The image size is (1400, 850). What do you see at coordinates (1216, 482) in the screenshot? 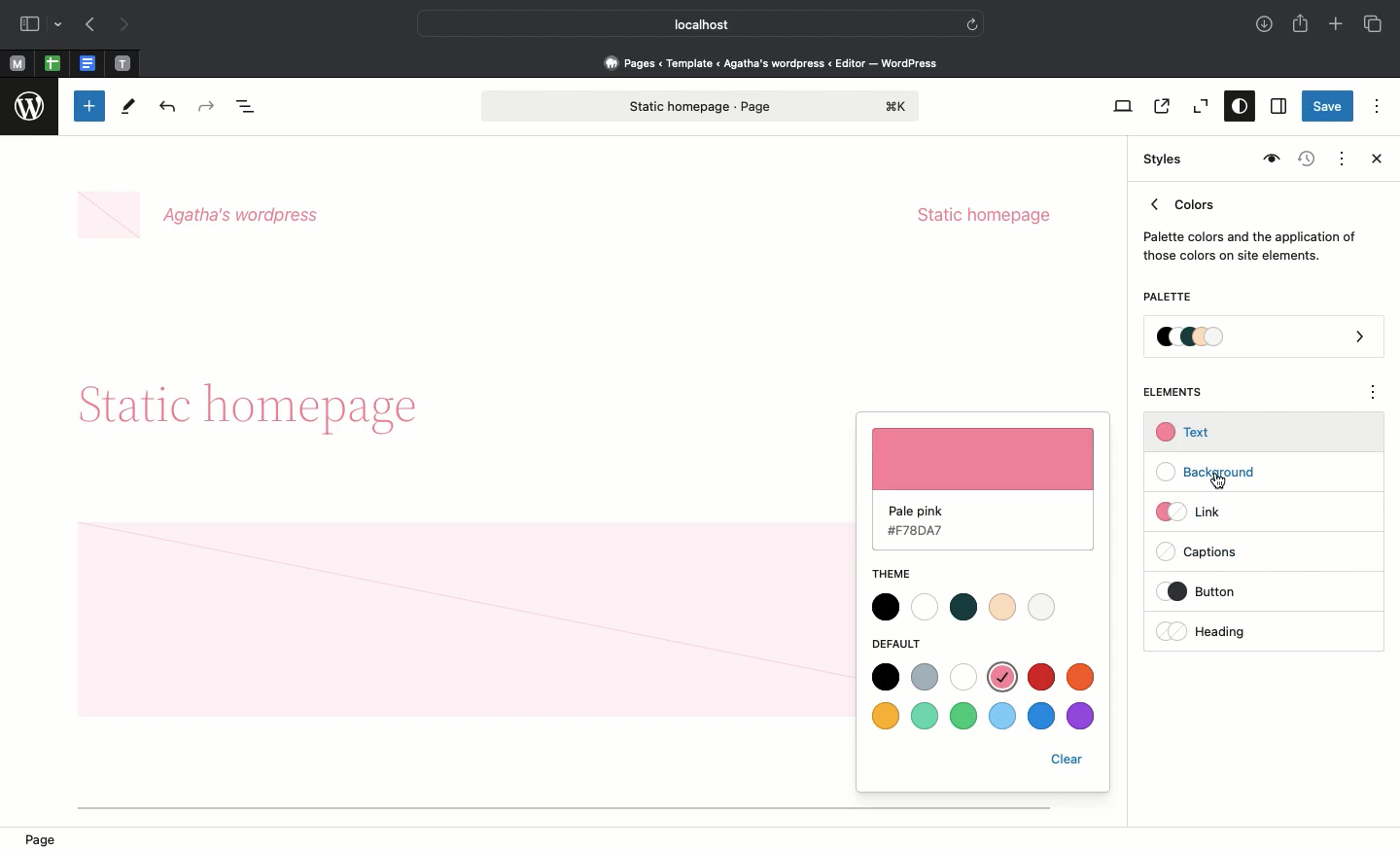
I see `cursor` at bounding box center [1216, 482].